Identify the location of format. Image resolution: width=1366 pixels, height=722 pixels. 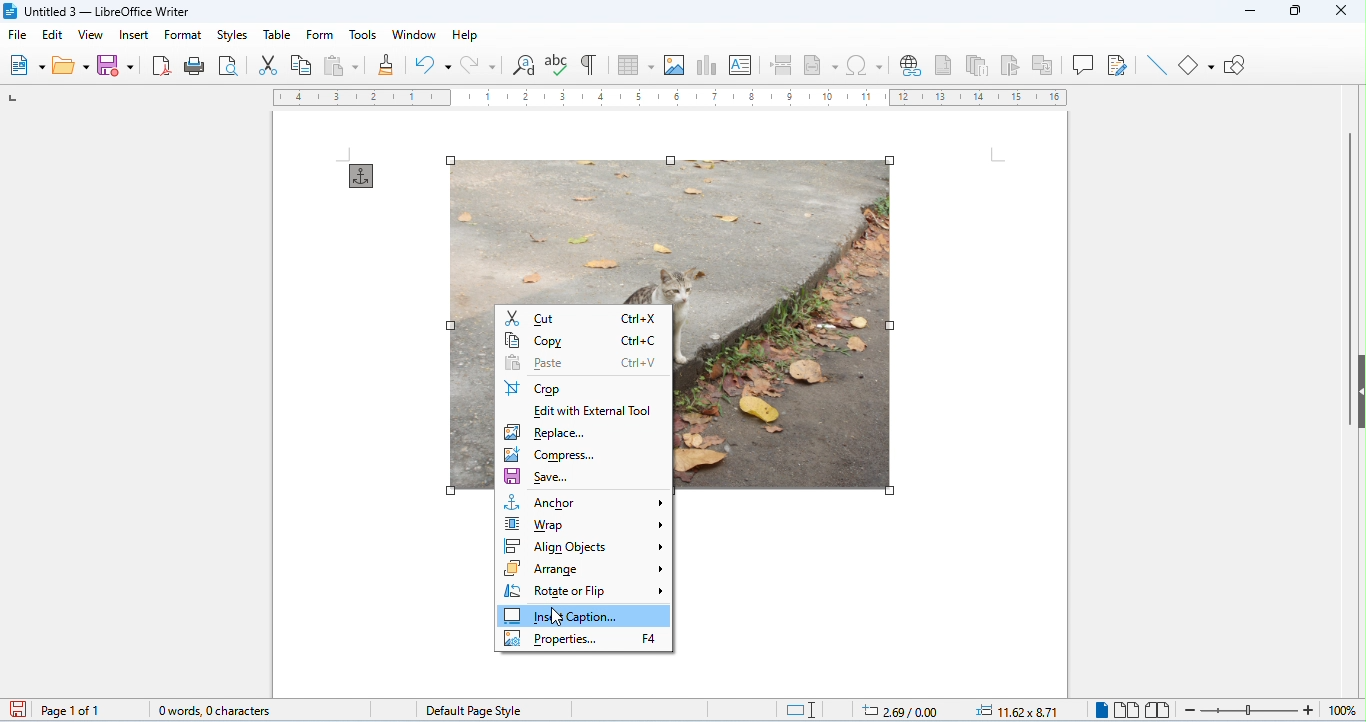
(183, 35).